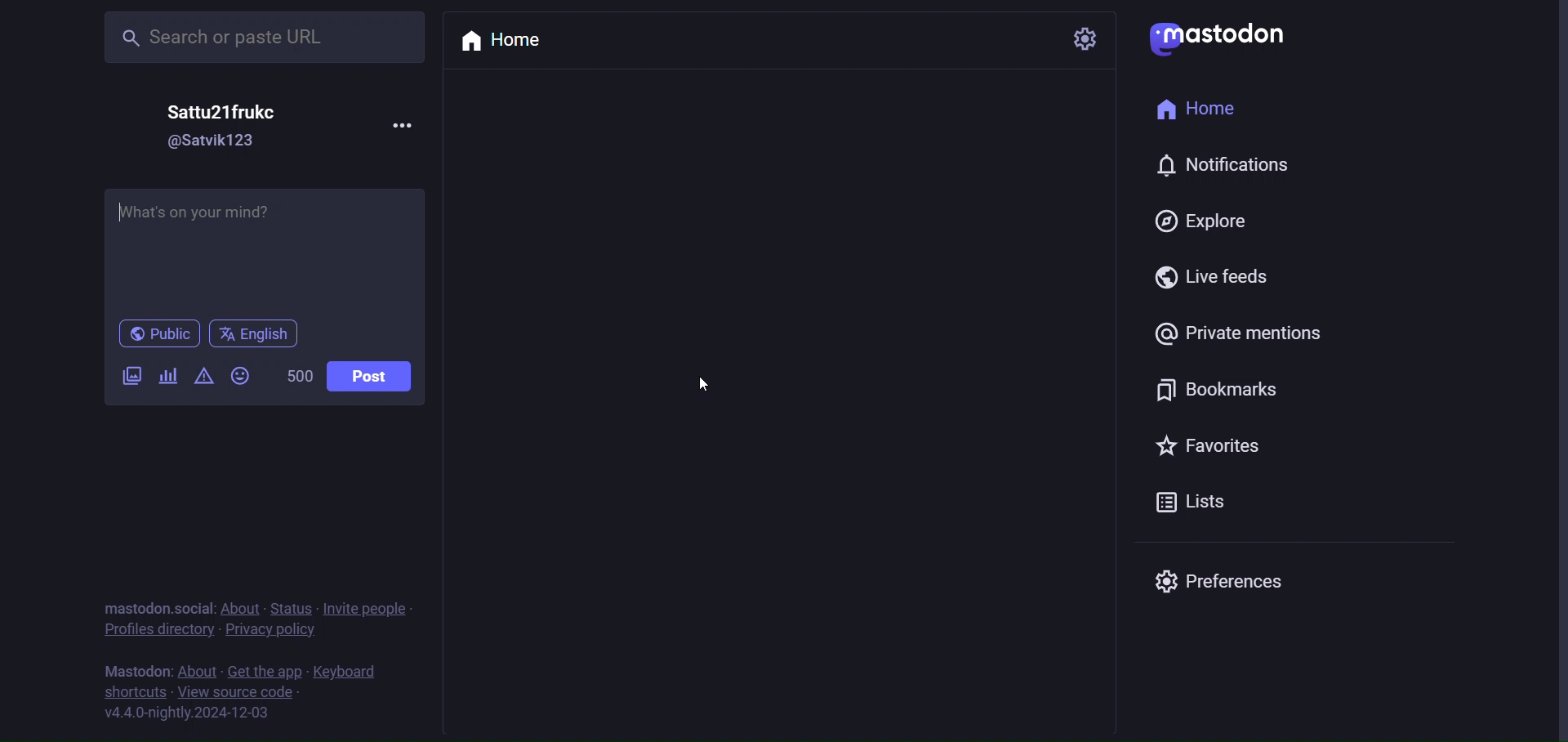 The image size is (1568, 742). I want to click on preferences, so click(1225, 579).